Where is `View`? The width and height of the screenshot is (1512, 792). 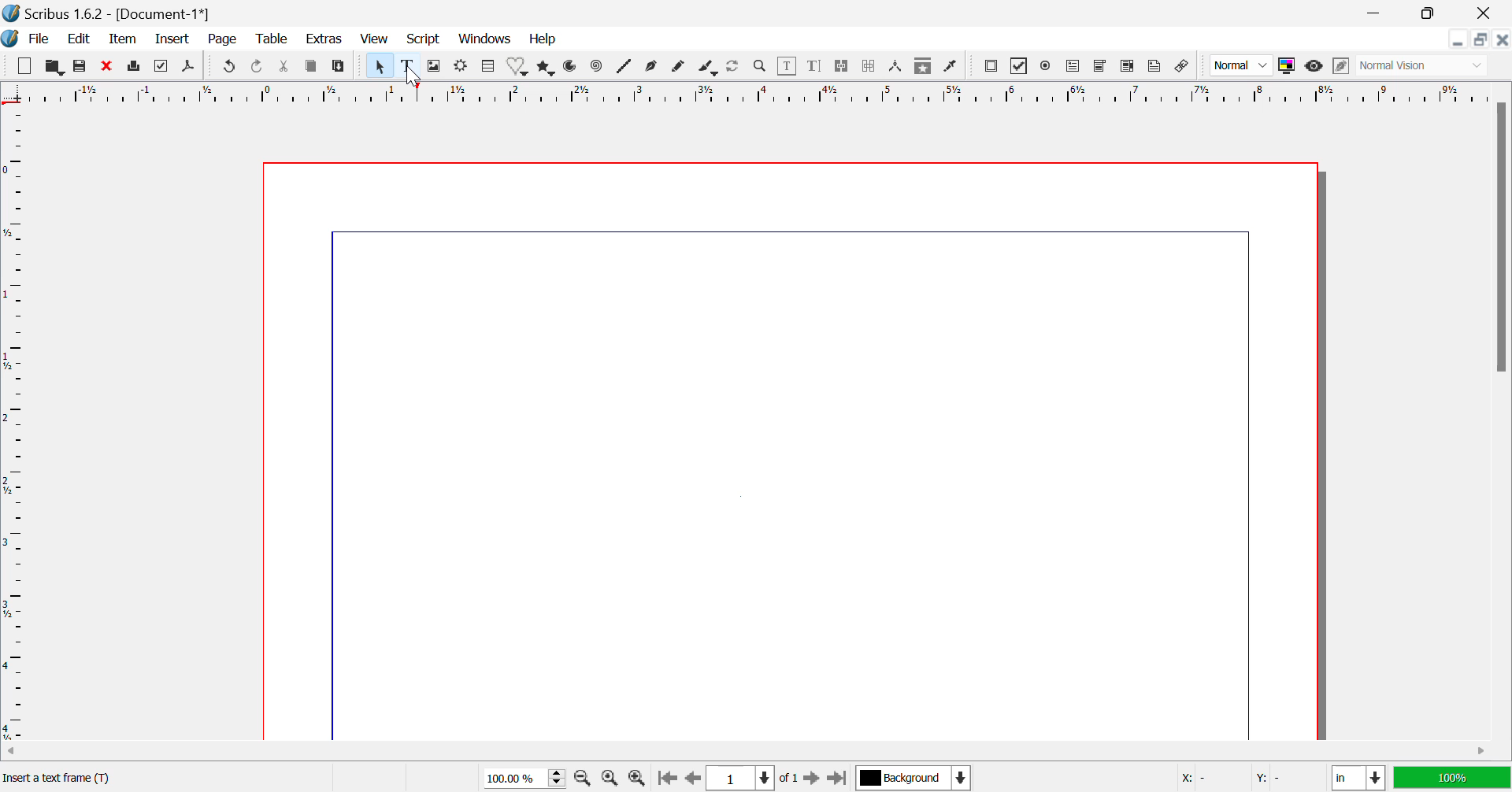
View is located at coordinates (375, 40).